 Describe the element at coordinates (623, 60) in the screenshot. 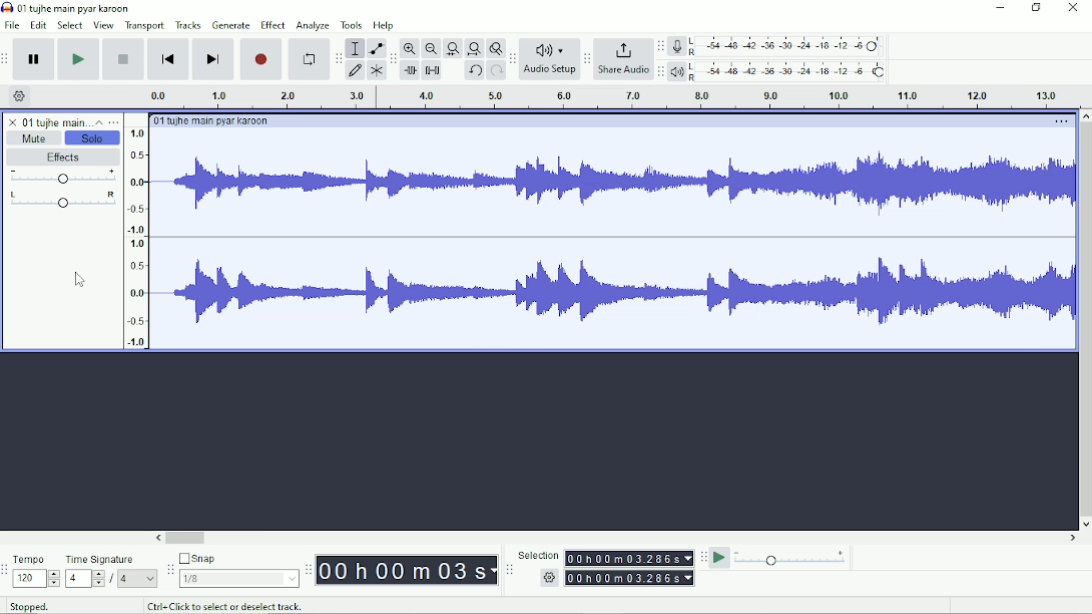

I see `Share Audio` at that location.